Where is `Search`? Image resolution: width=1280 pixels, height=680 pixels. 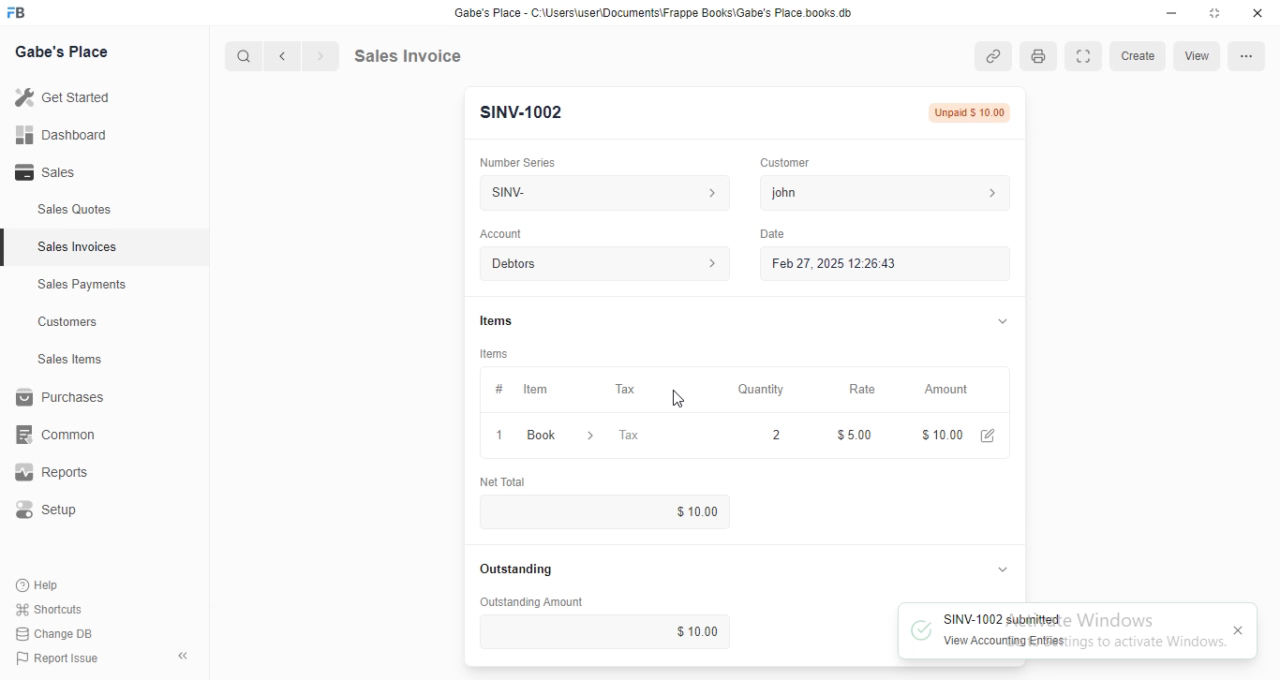
Search is located at coordinates (242, 53).